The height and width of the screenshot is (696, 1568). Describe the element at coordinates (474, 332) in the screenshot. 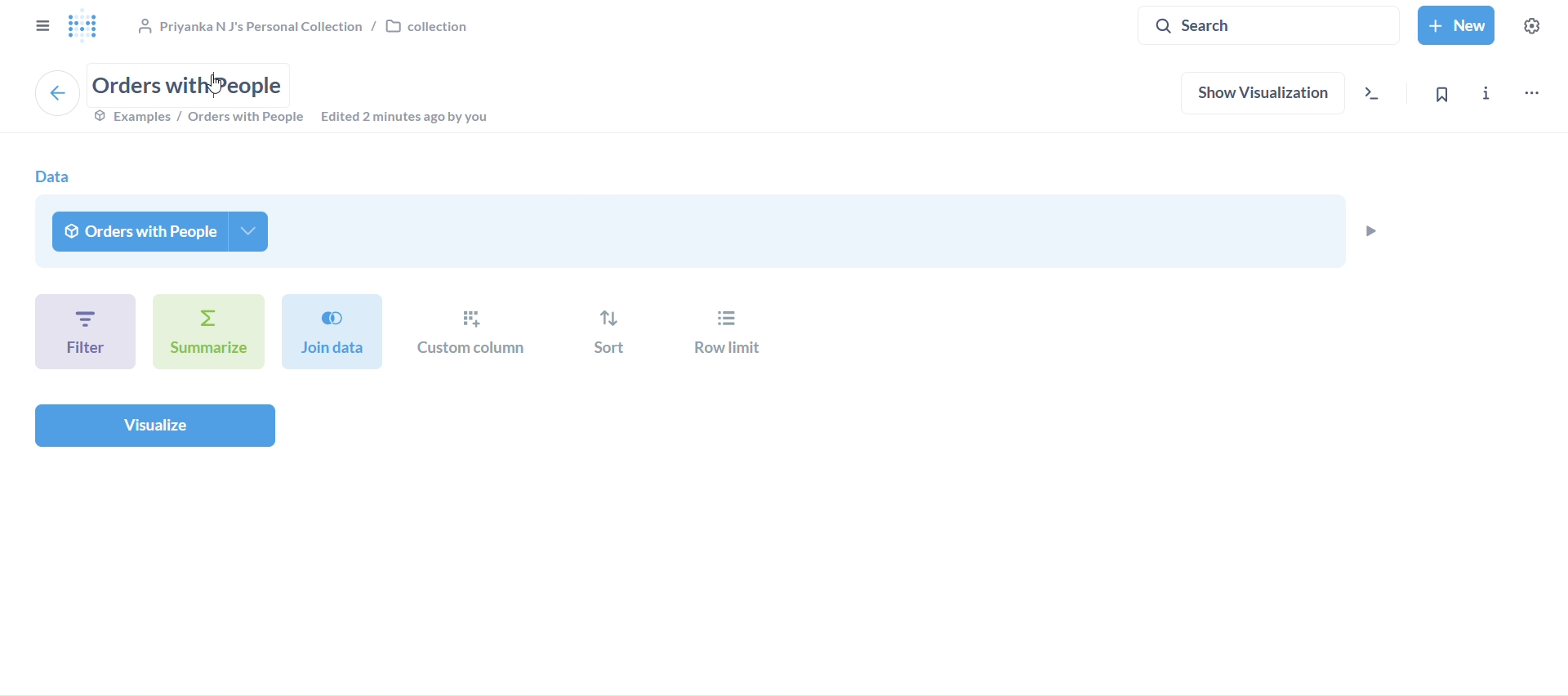

I see `custom column` at that location.